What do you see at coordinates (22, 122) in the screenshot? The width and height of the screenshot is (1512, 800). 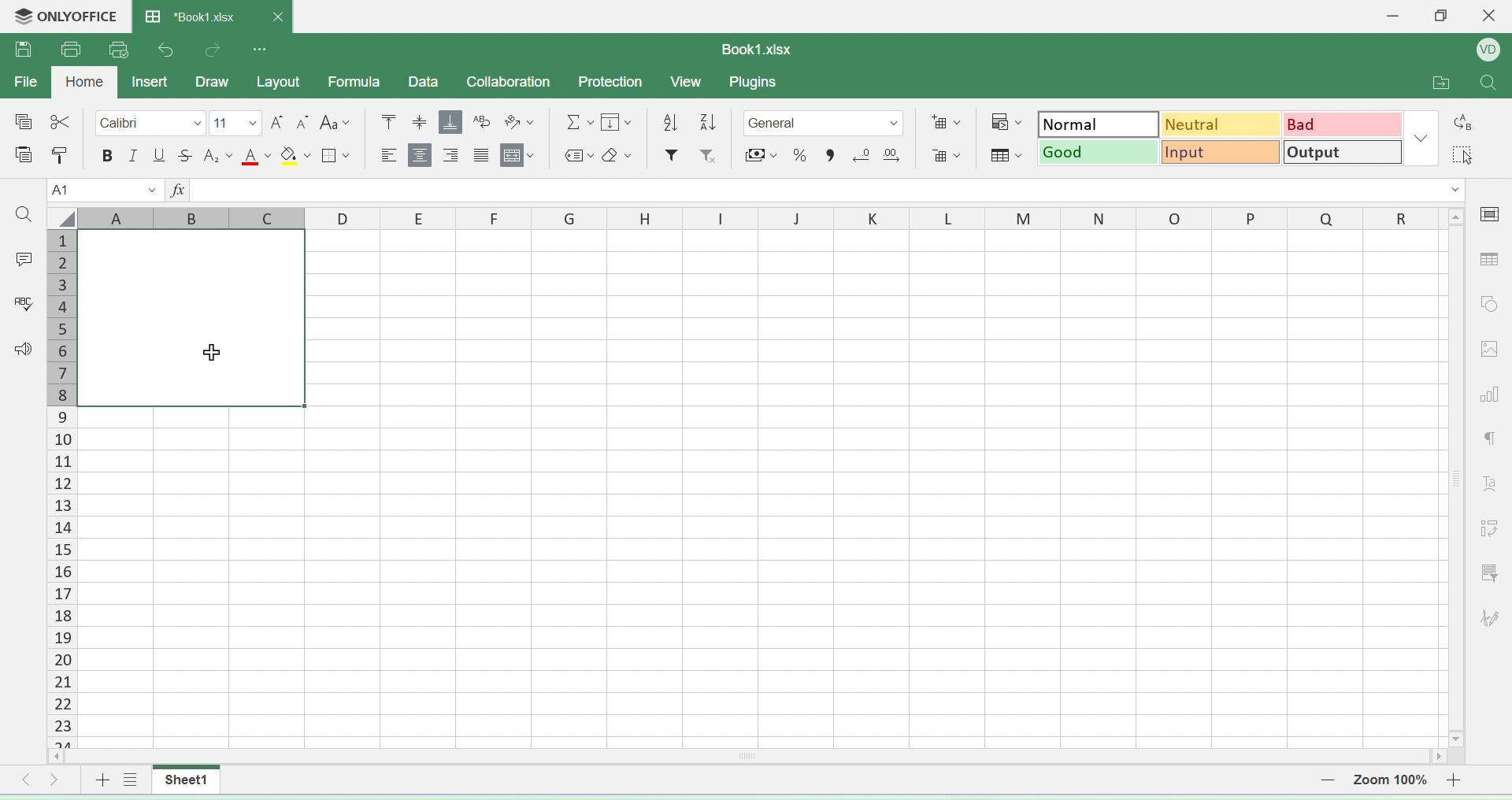 I see `special` at bounding box center [22, 122].